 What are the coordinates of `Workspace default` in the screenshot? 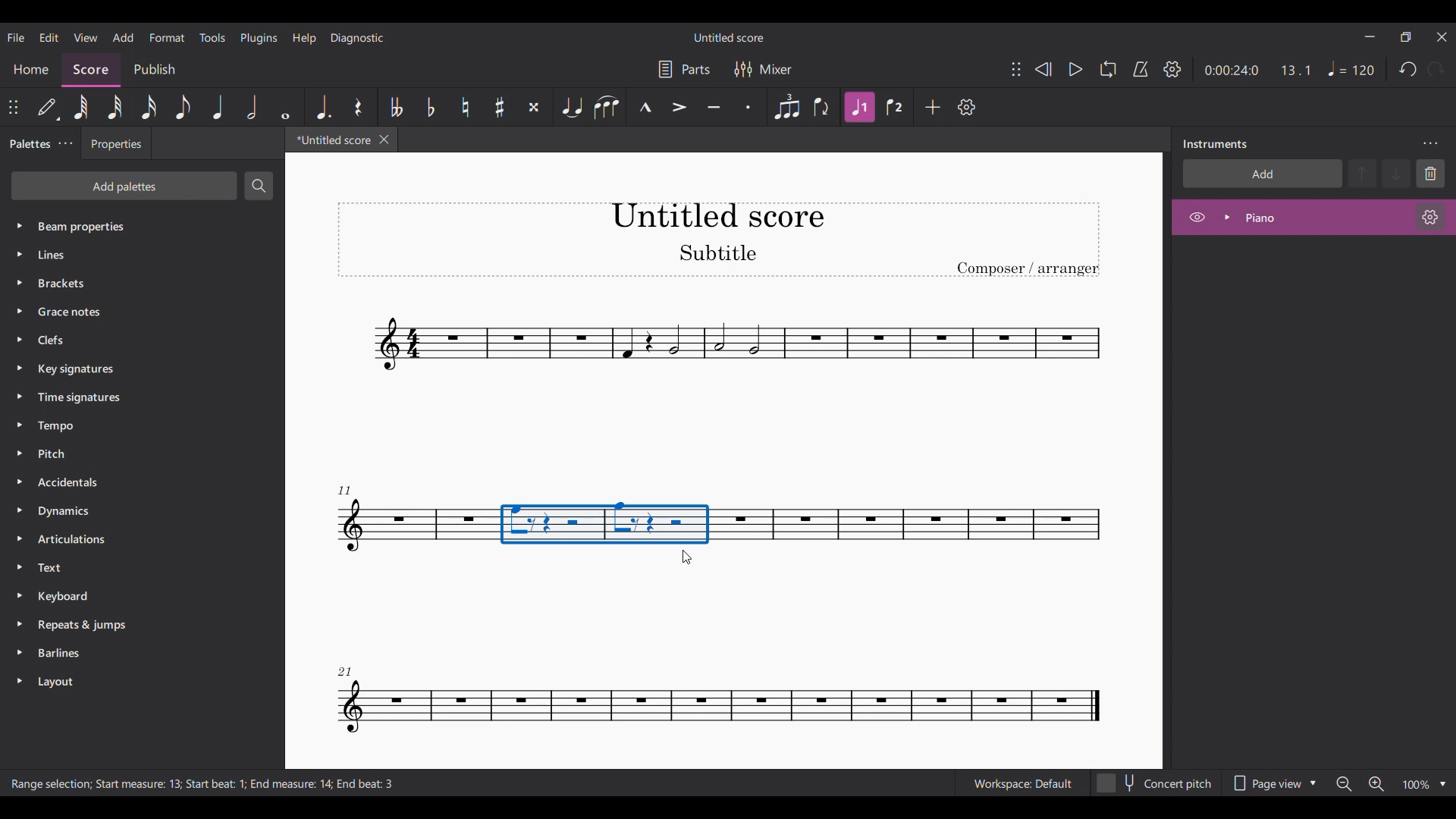 It's located at (1021, 782).